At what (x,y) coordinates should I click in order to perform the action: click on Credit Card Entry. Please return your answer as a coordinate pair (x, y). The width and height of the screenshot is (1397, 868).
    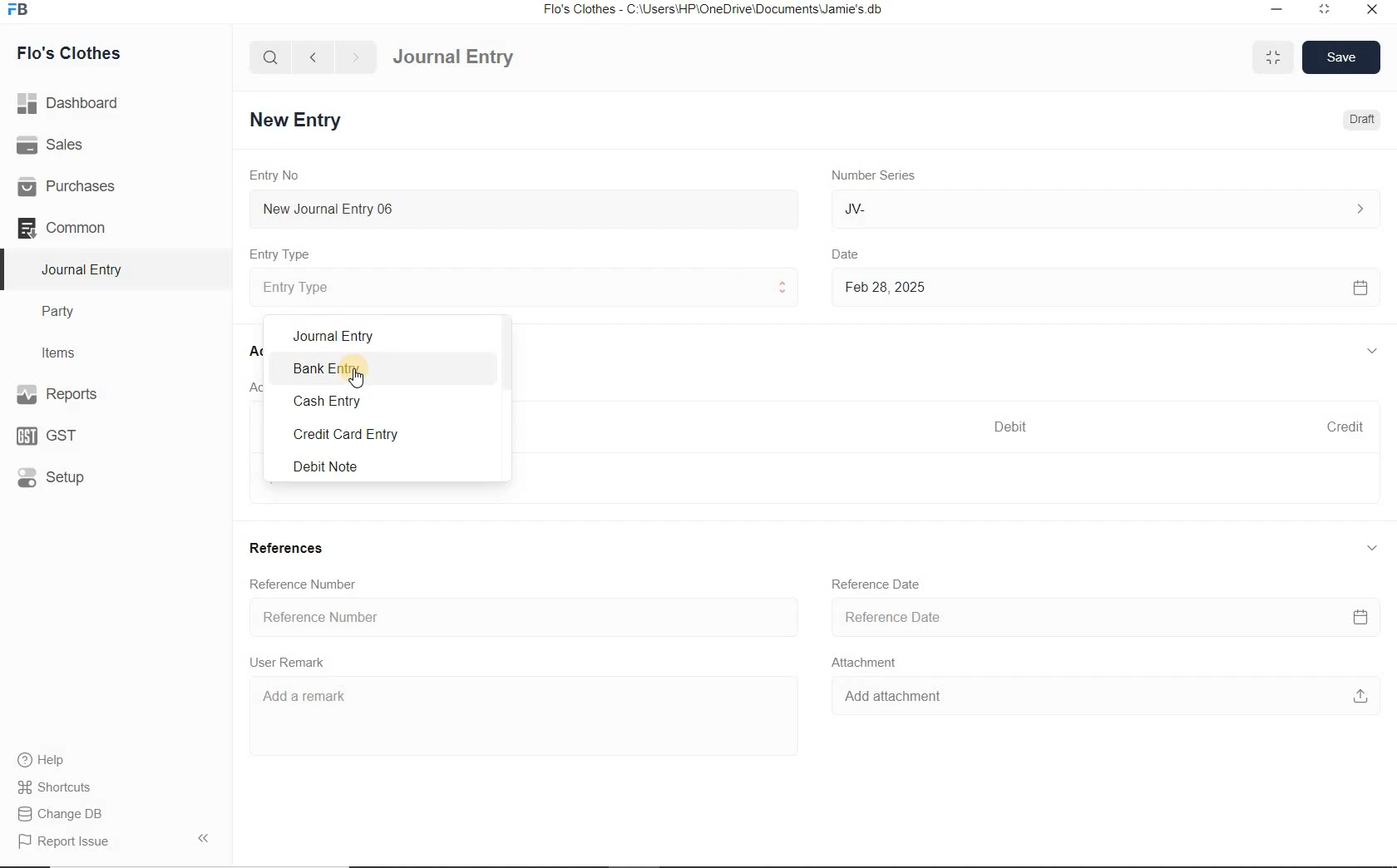
    Looking at the image, I should click on (353, 434).